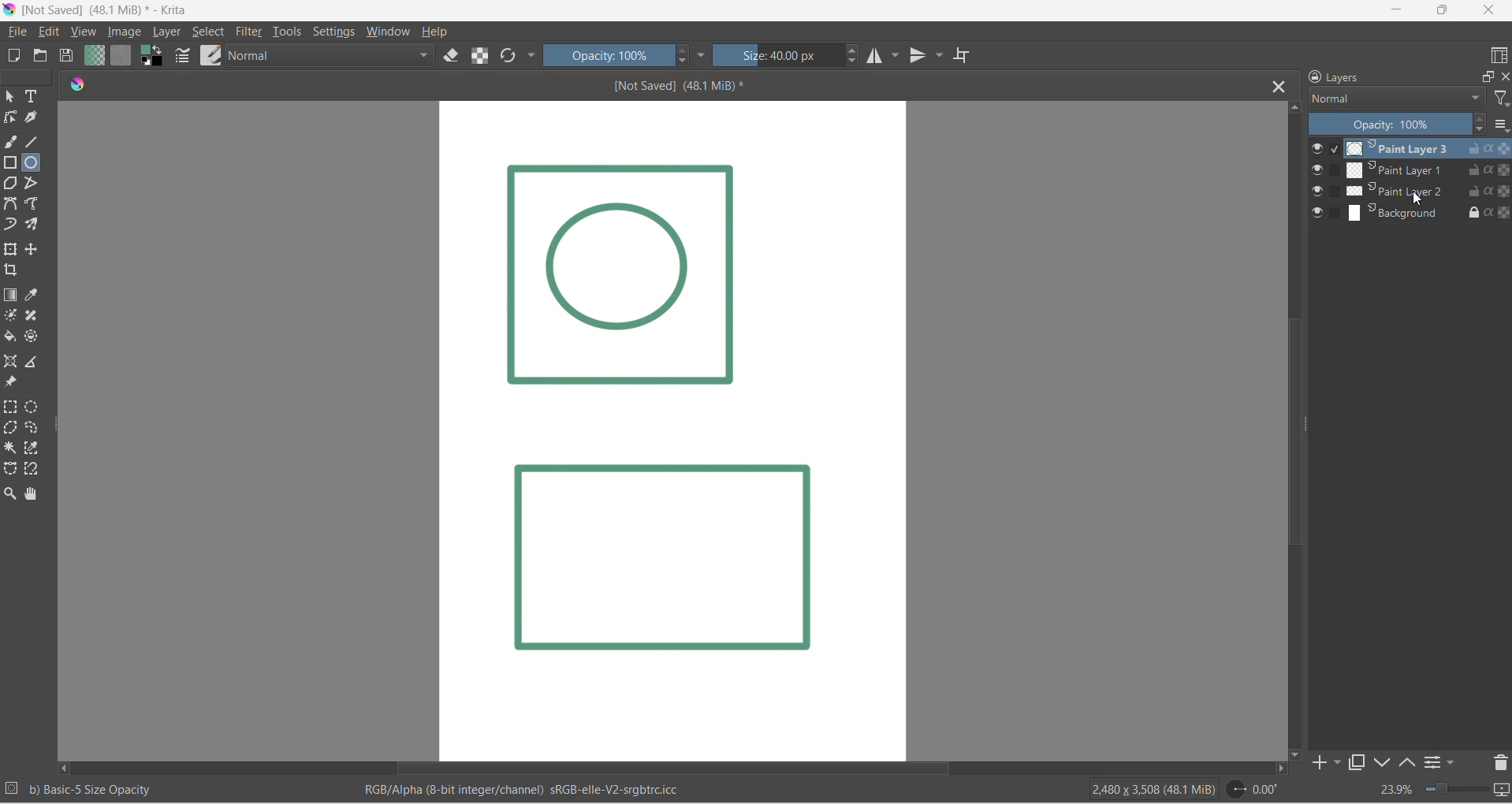 Image resolution: width=1512 pixels, height=804 pixels. I want to click on resize, so click(58, 434).